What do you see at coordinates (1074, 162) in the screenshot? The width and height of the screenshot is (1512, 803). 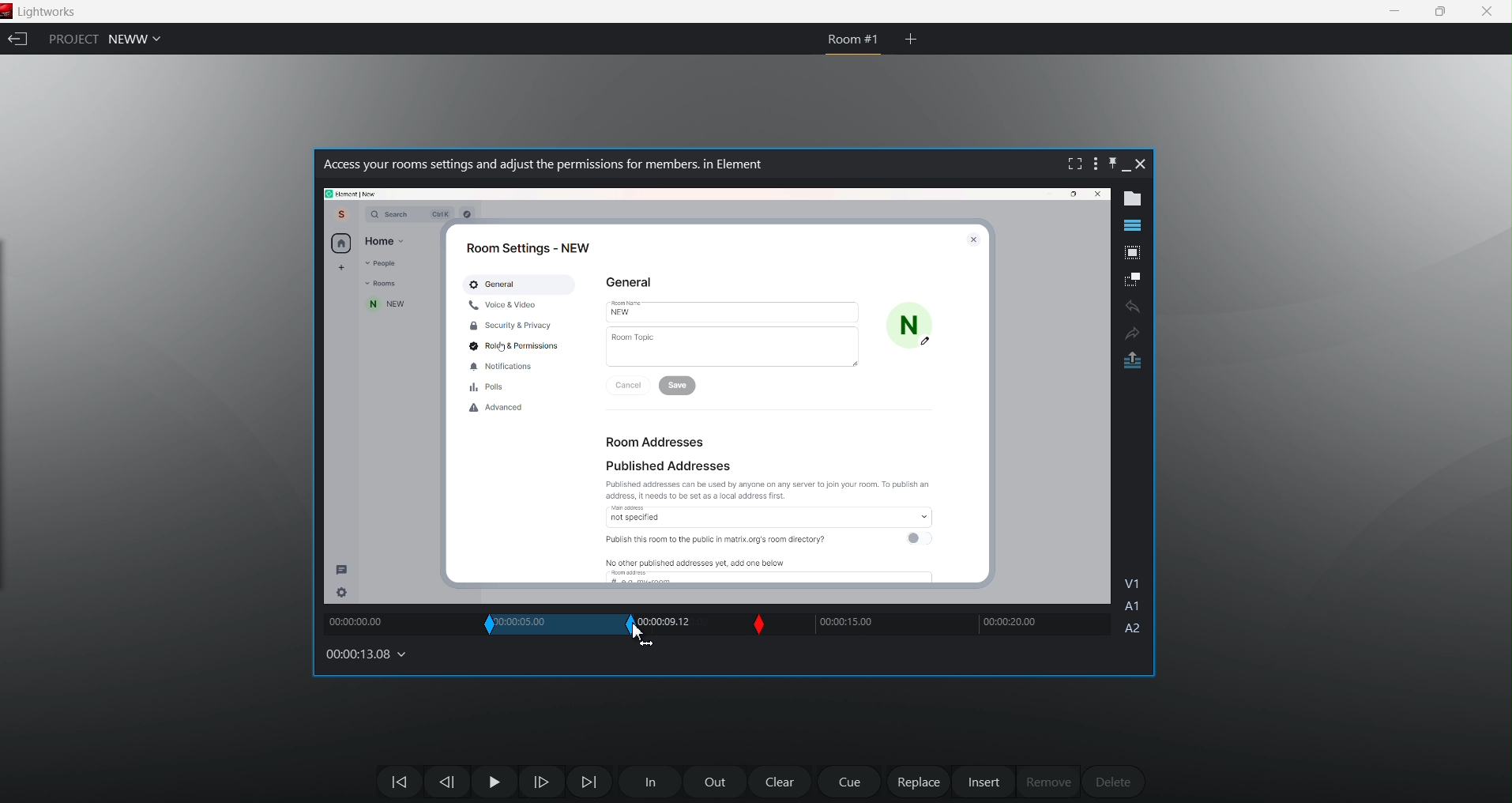 I see `fullscreen` at bounding box center [1074, 162].